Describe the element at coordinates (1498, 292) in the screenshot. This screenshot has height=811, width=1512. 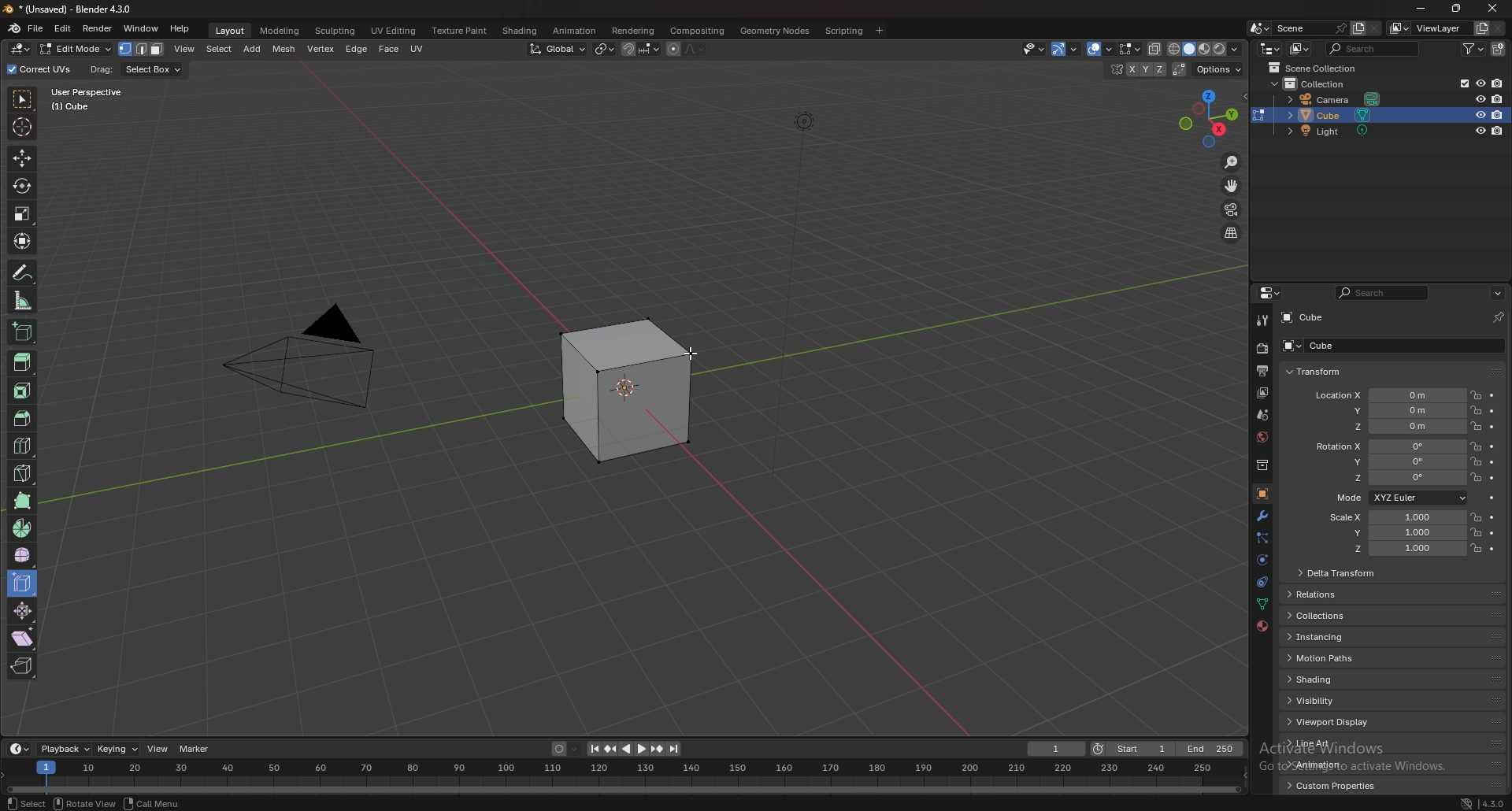
I see `options` at that location.